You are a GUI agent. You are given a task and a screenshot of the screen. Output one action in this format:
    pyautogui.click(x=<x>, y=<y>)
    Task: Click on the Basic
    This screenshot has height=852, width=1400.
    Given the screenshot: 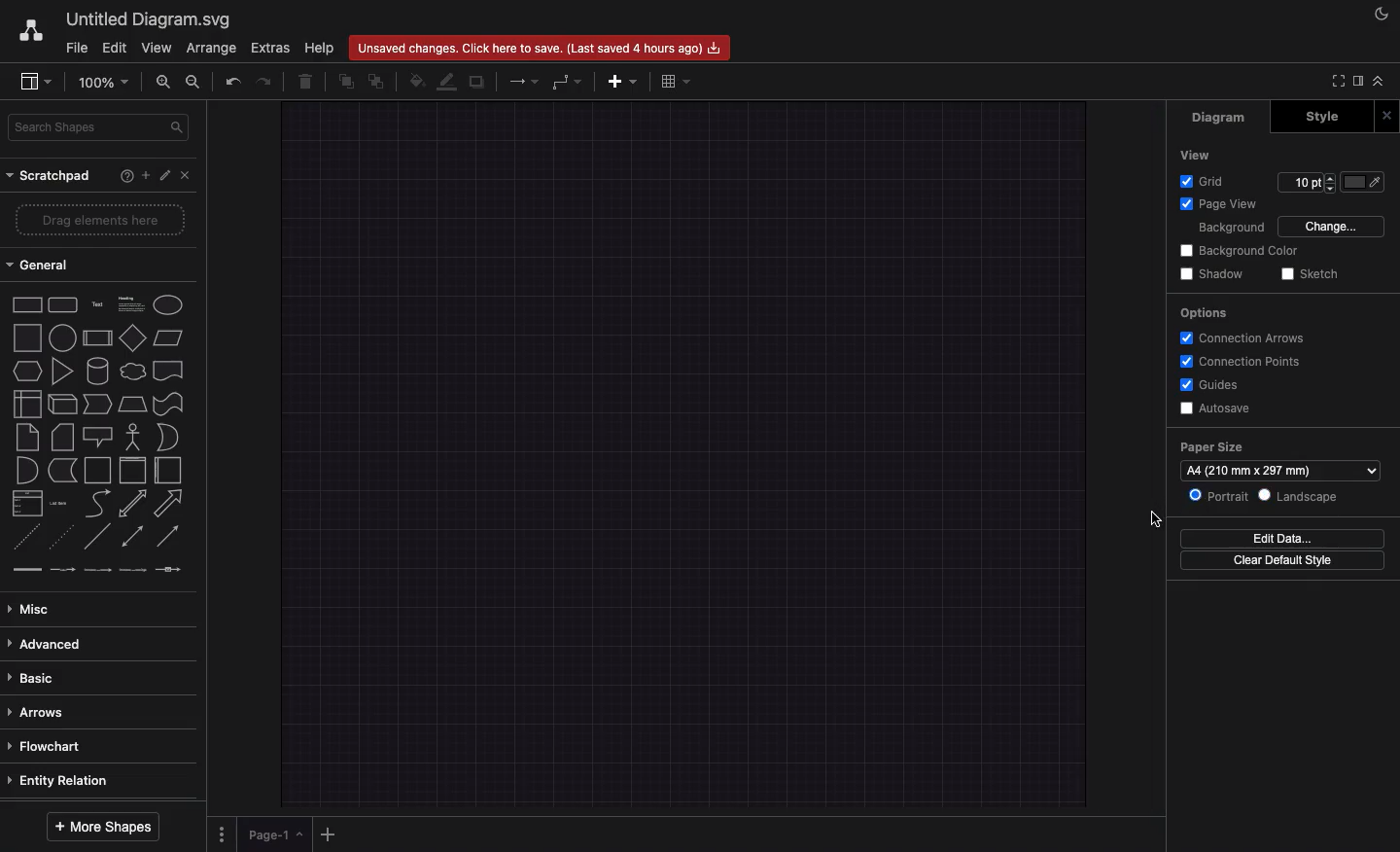 What is the action you would take?
    pyautogui.click(x=31, y=679)
    